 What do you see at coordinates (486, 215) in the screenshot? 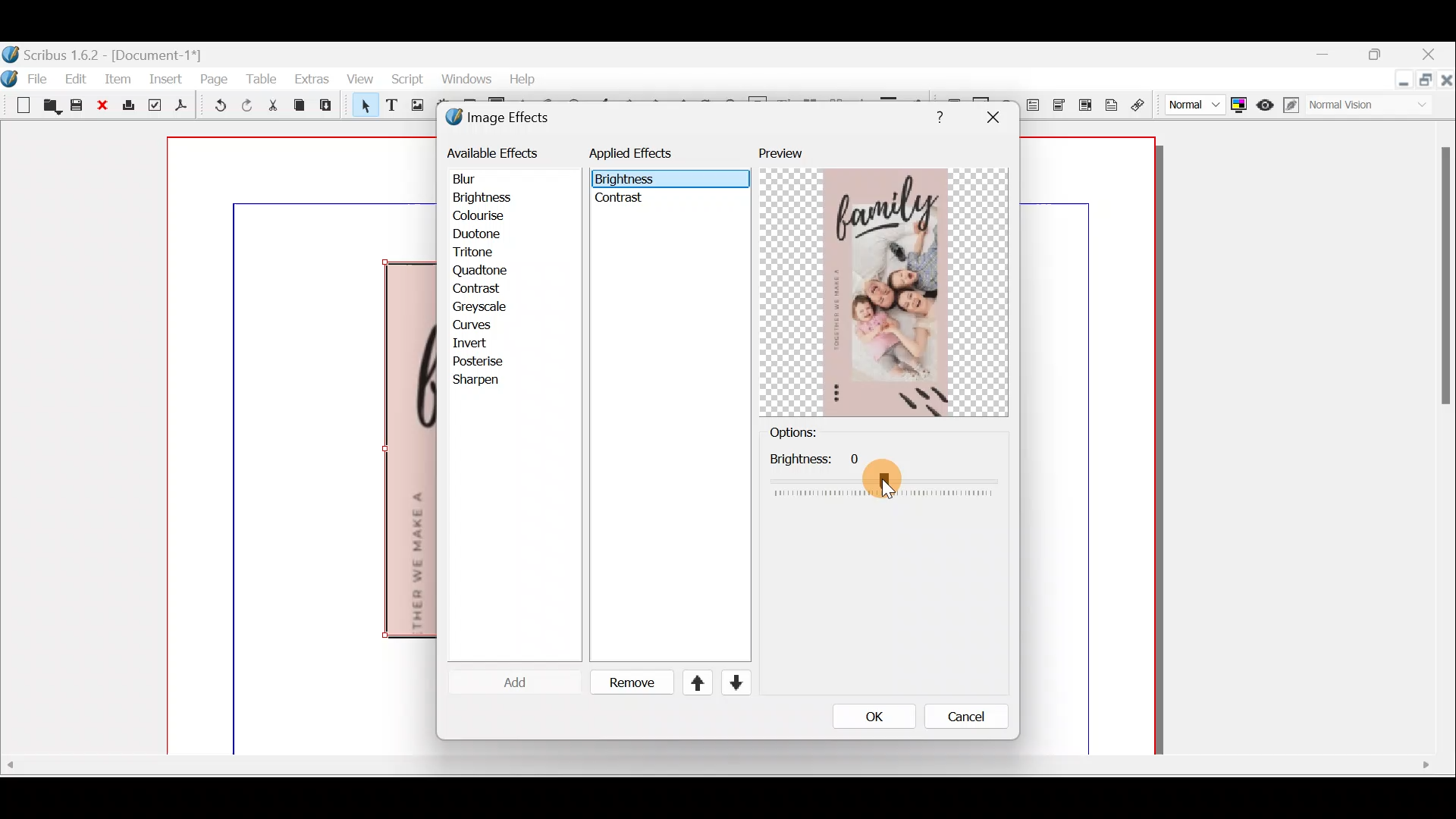
I see `Colourise` at bounding box center [486, 215].